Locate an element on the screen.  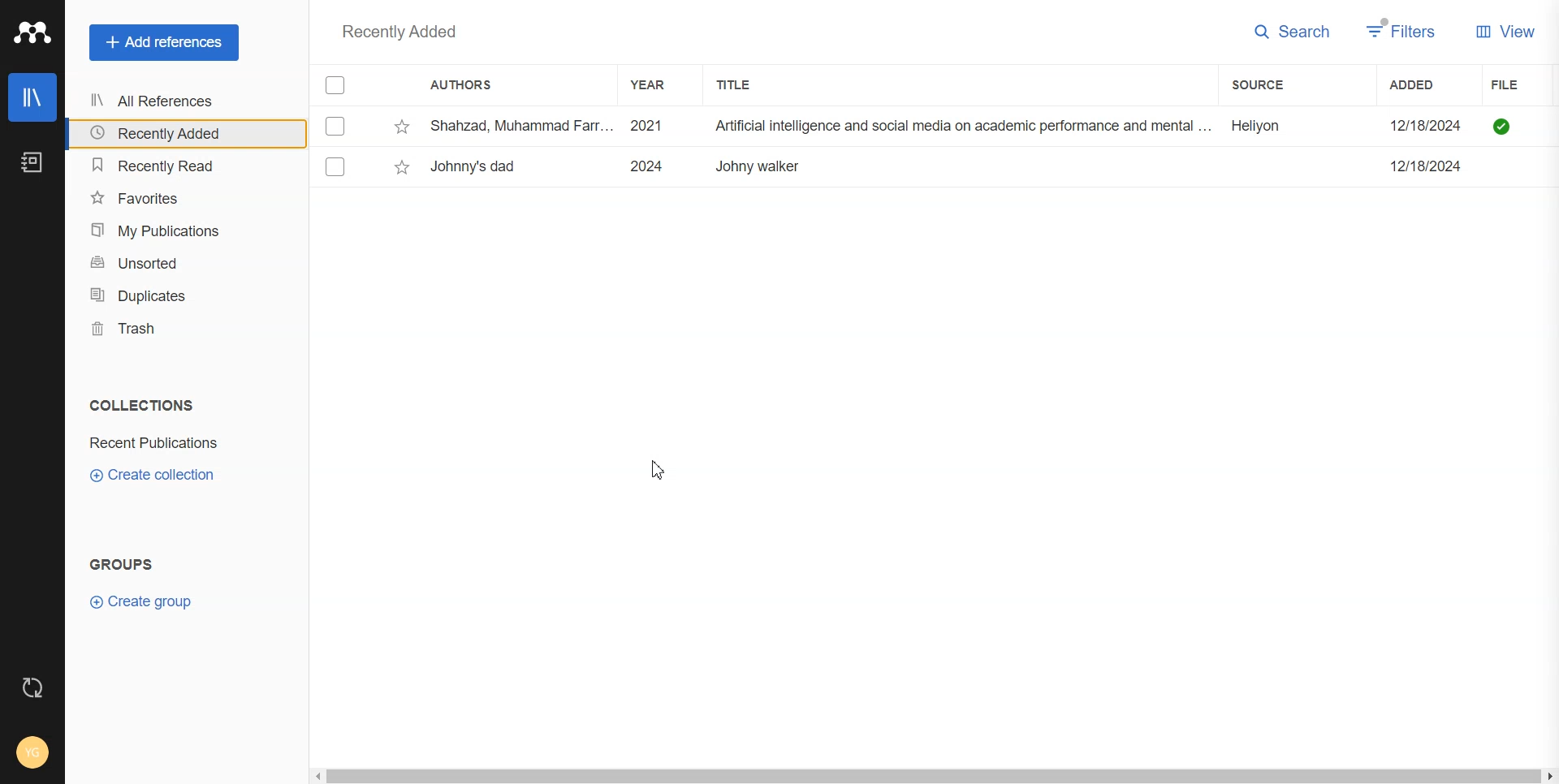
My Publication is located at coordinates (182, 230).